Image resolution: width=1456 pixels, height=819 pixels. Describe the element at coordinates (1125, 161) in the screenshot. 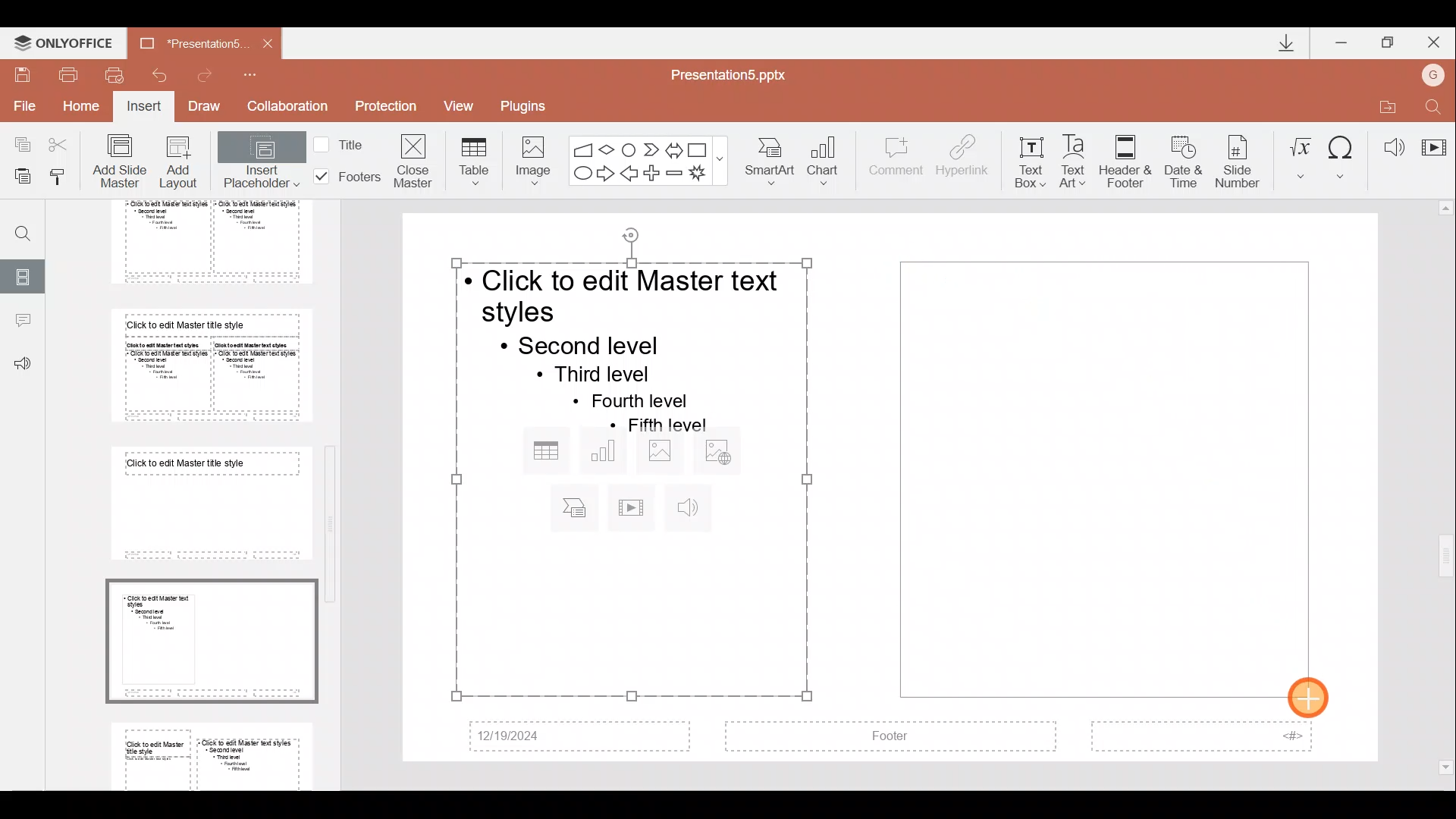

I see `Header & footer` at that location.